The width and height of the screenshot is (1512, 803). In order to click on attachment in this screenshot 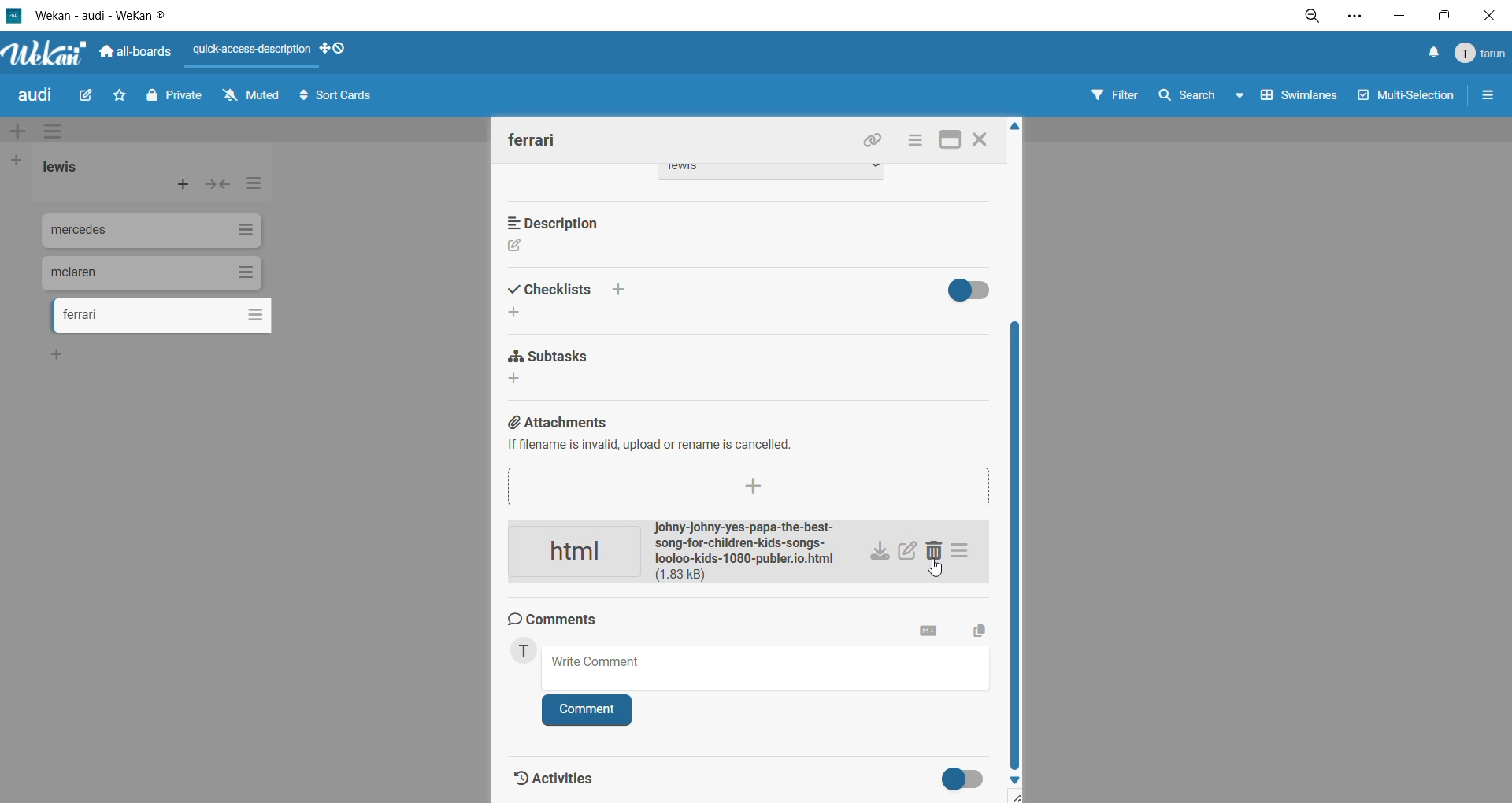, I will do `click(681, 553)`.